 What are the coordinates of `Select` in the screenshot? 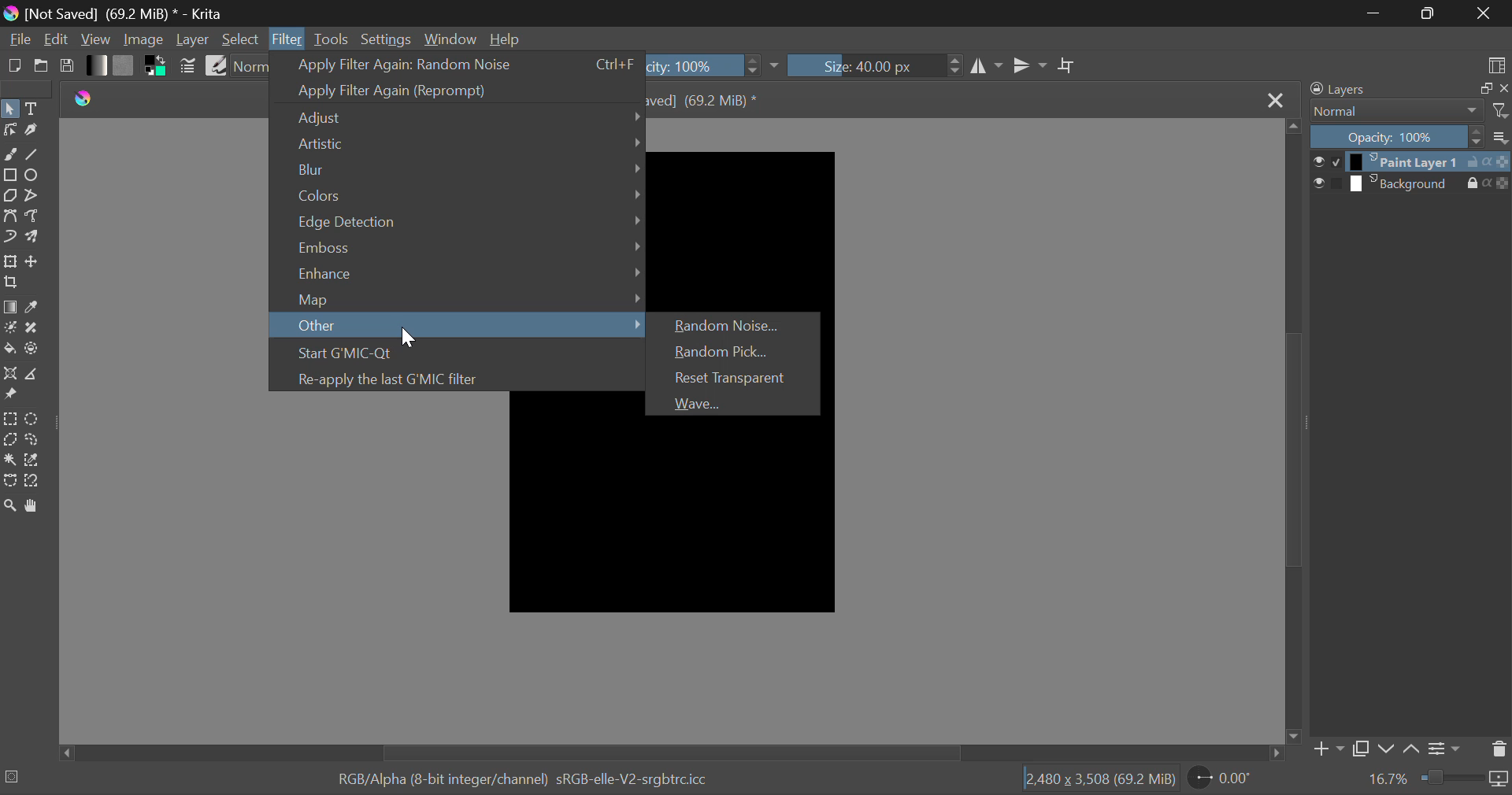 It's located at (9, 110).